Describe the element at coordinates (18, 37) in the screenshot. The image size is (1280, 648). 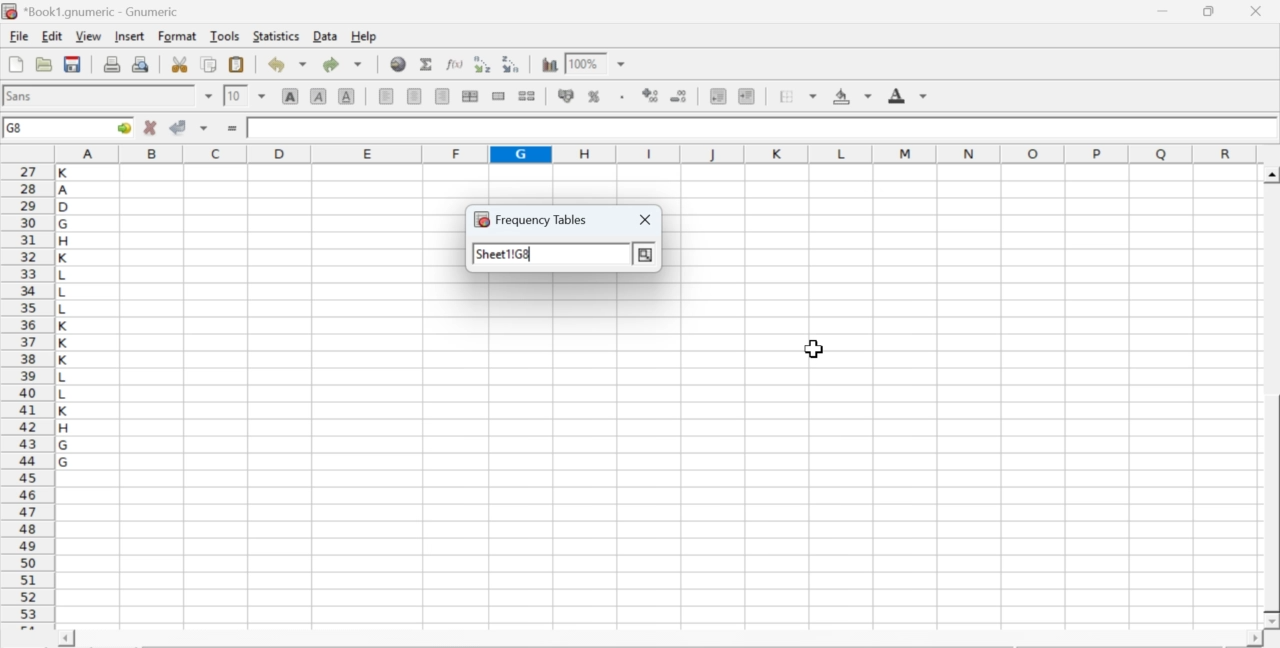
I see `file` at that location.